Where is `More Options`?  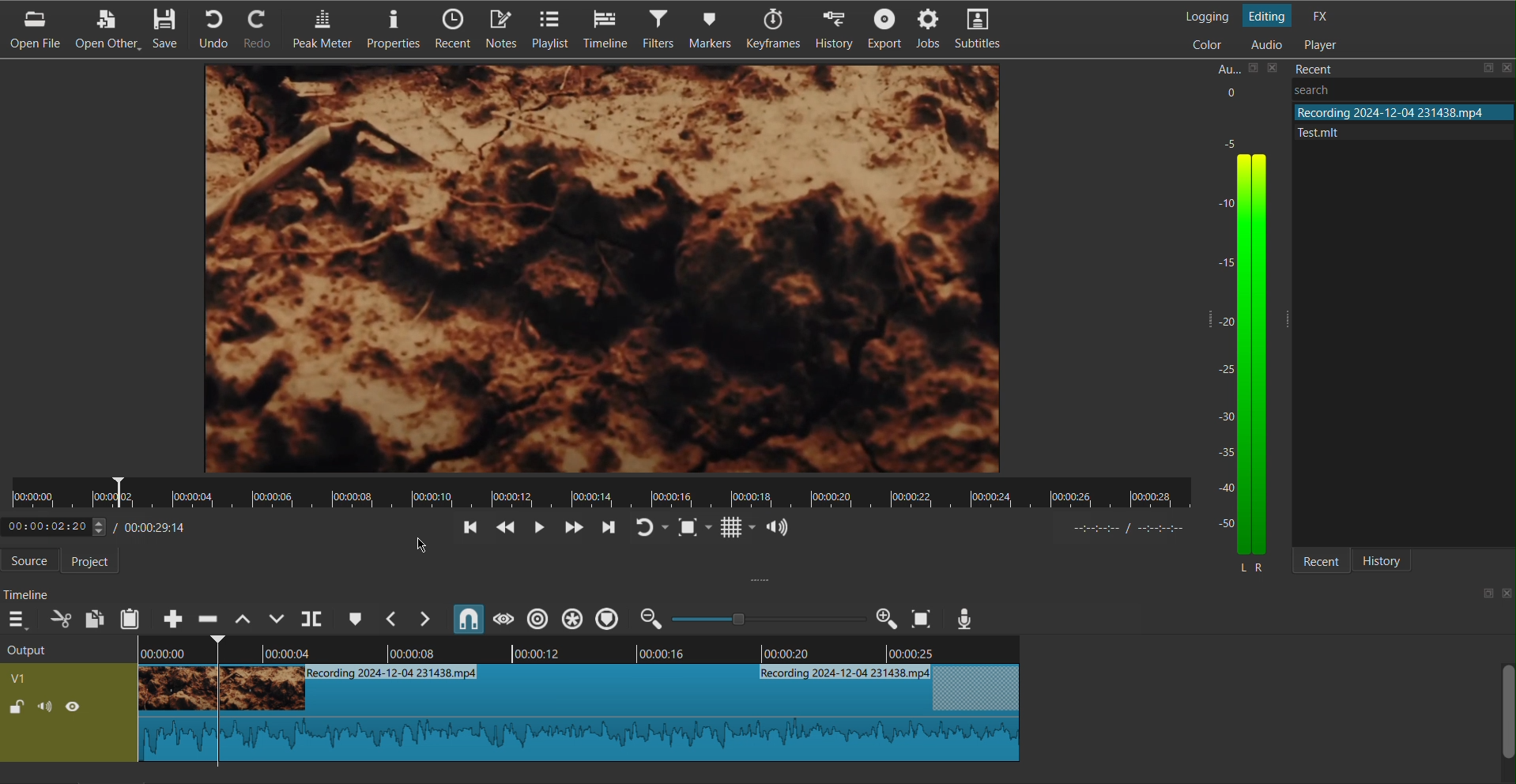 More Options is located at coordinates (19, 618).